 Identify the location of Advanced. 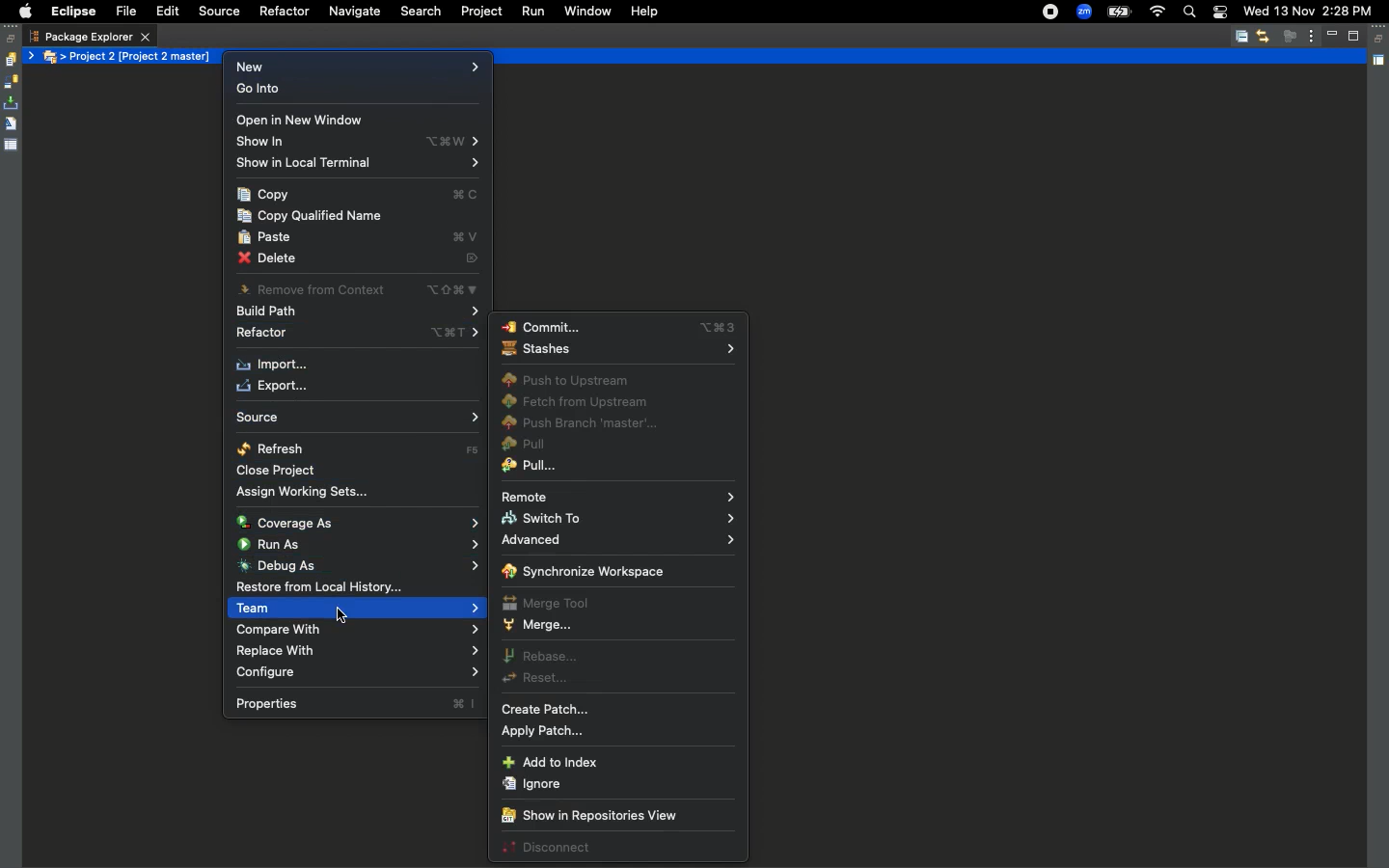
(616, 542).